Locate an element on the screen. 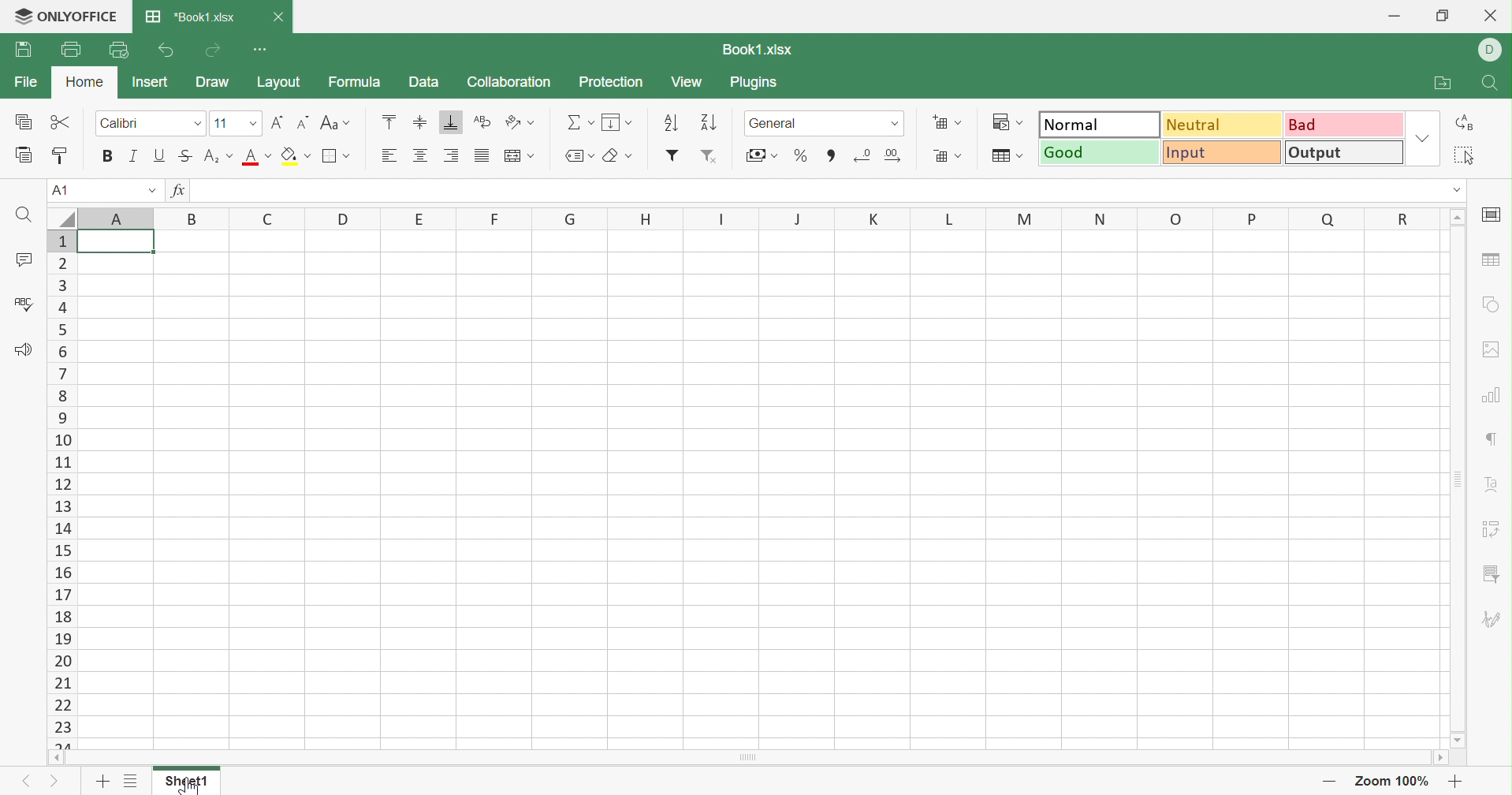 The height and width of the screenshot is (795, 1512). Chart settings is located at coordinates (1492, 397).